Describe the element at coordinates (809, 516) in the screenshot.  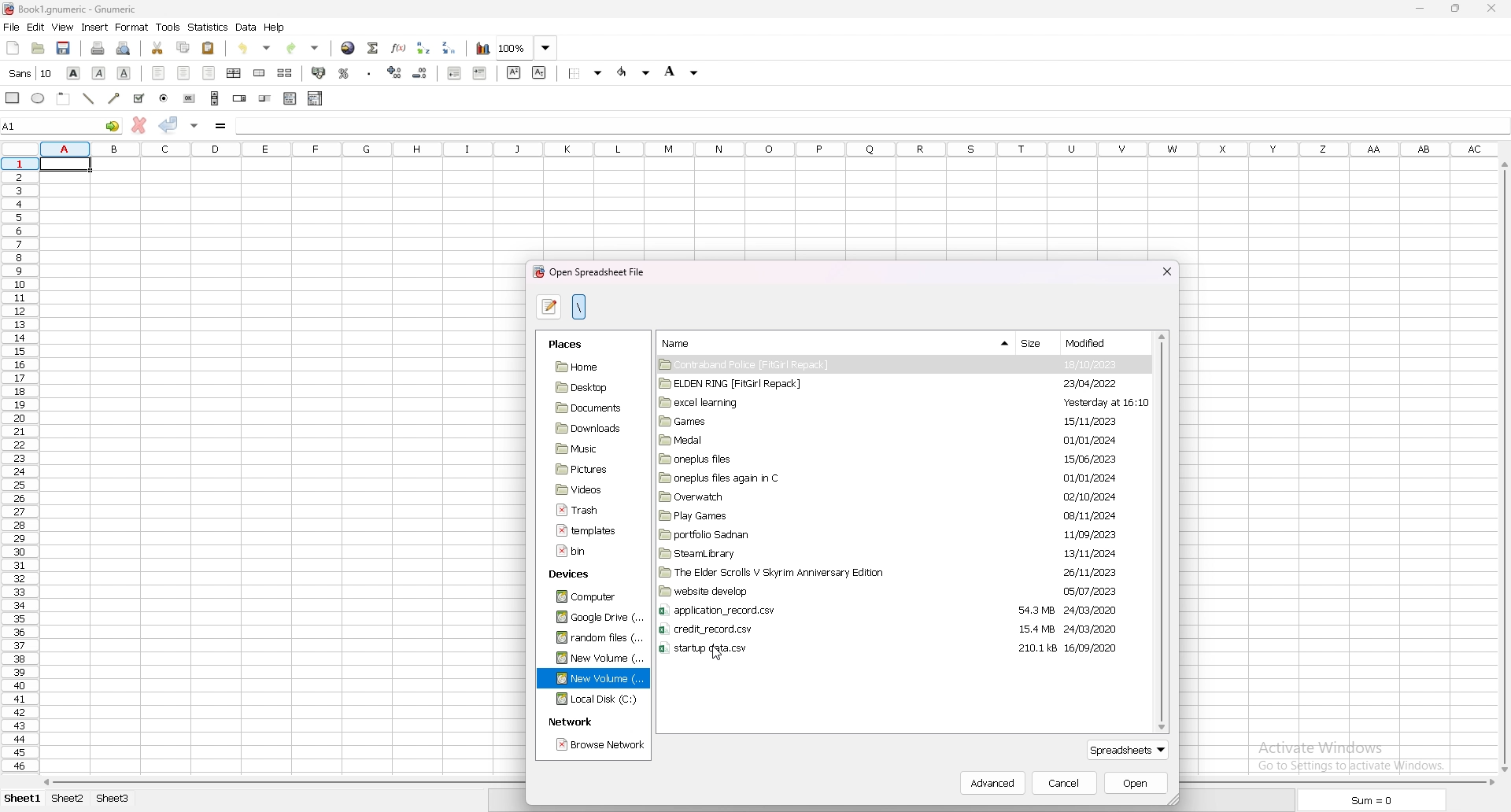
I see `folder` at that location.